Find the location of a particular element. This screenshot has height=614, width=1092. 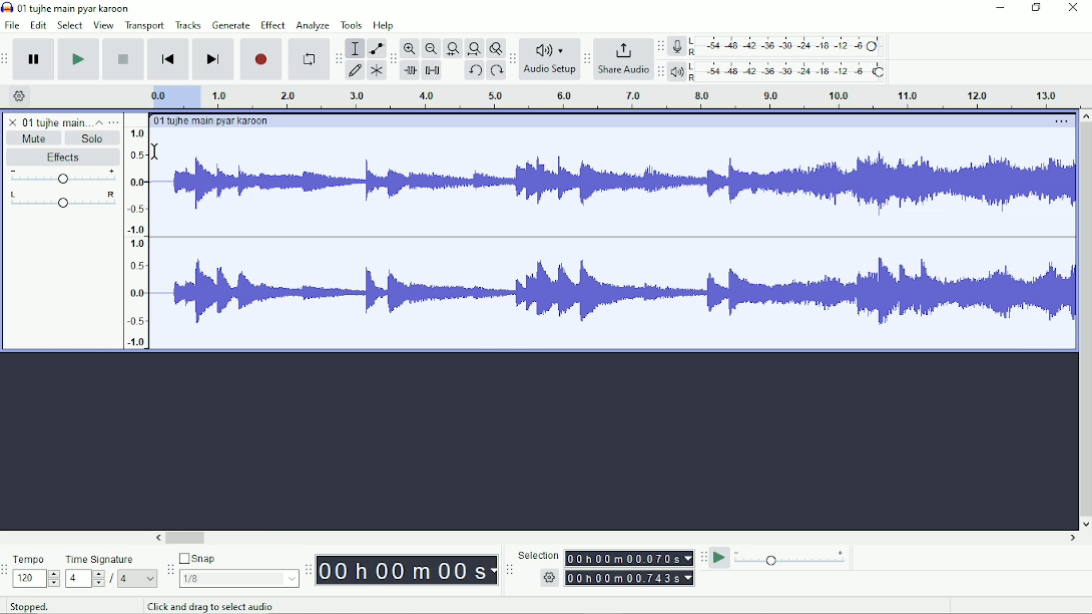

Time Signature is located at coordinates (110, 559).